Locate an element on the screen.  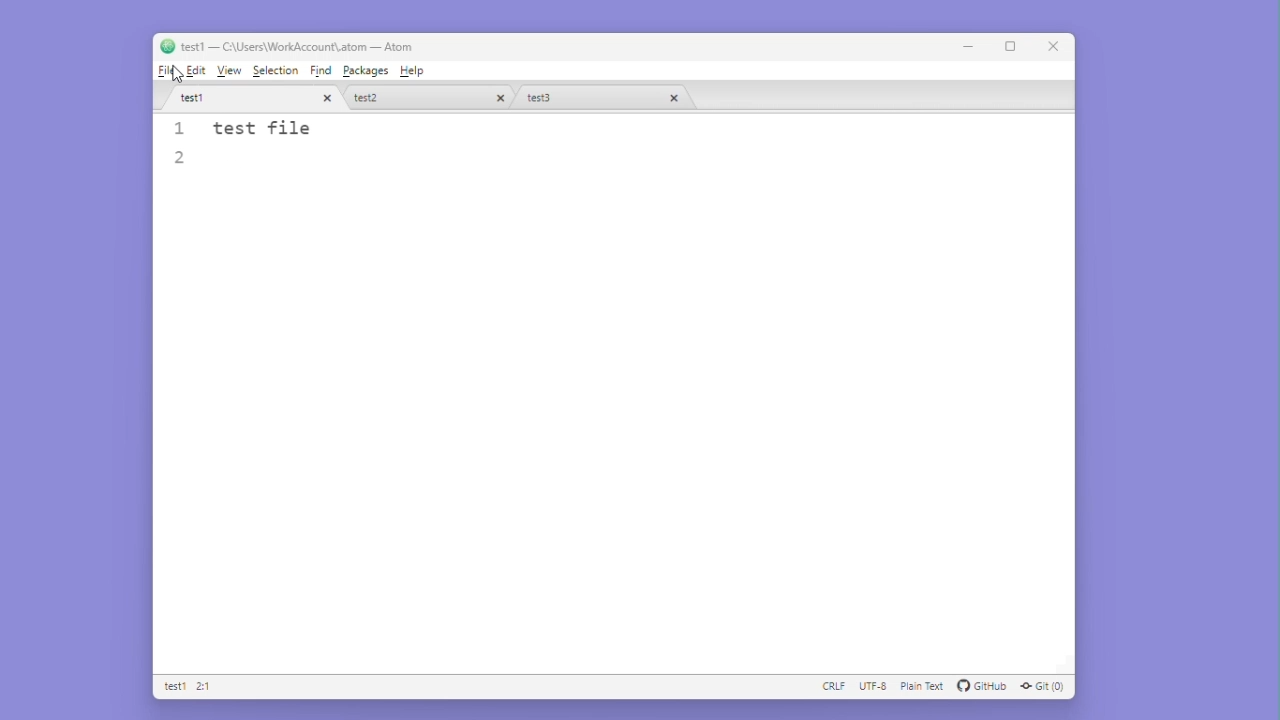
test1 - C :\users\workaccount\atom-atom is located at coordinates (307, 46).